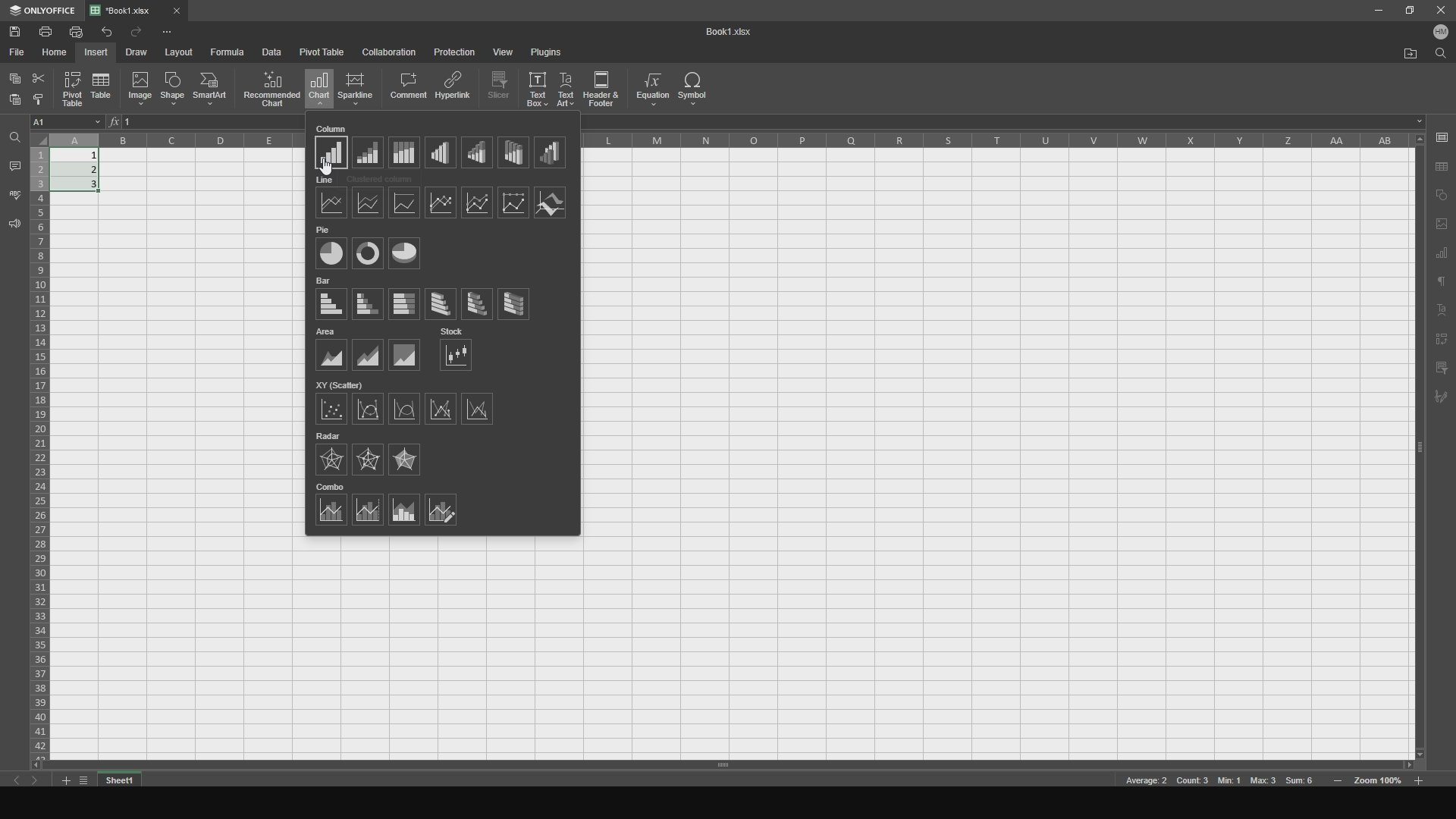  Describe the element at coordinates (1420, 779) in the screenshot. I see `zoom out` at that location.